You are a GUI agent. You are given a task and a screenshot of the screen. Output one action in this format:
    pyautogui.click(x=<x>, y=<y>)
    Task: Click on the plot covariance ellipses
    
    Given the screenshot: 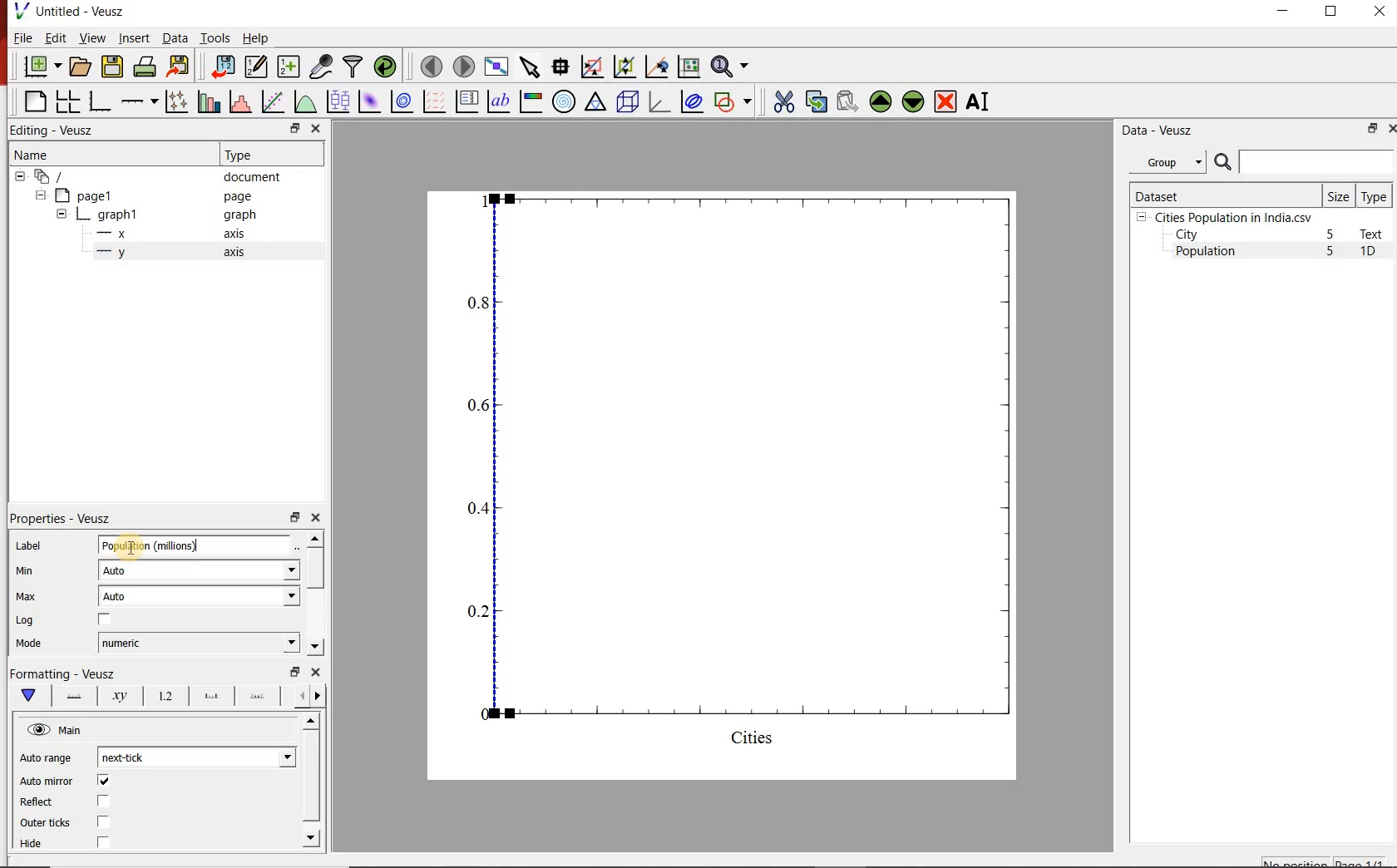 What is the action you would take?
    pyautogui.click(x=692, y=102)
    